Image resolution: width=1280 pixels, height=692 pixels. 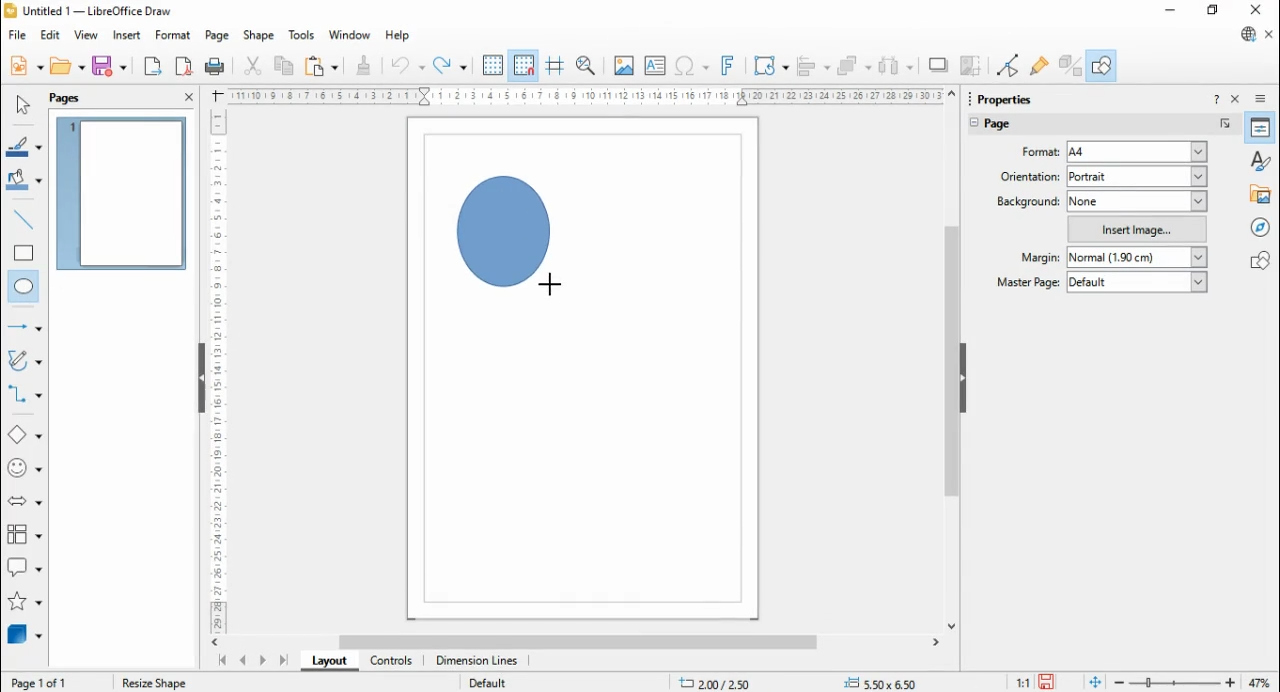 What do you see at coordinates (1137, 176) in the screenshot?
I see `portrait` at bounding box center [1137, 176].